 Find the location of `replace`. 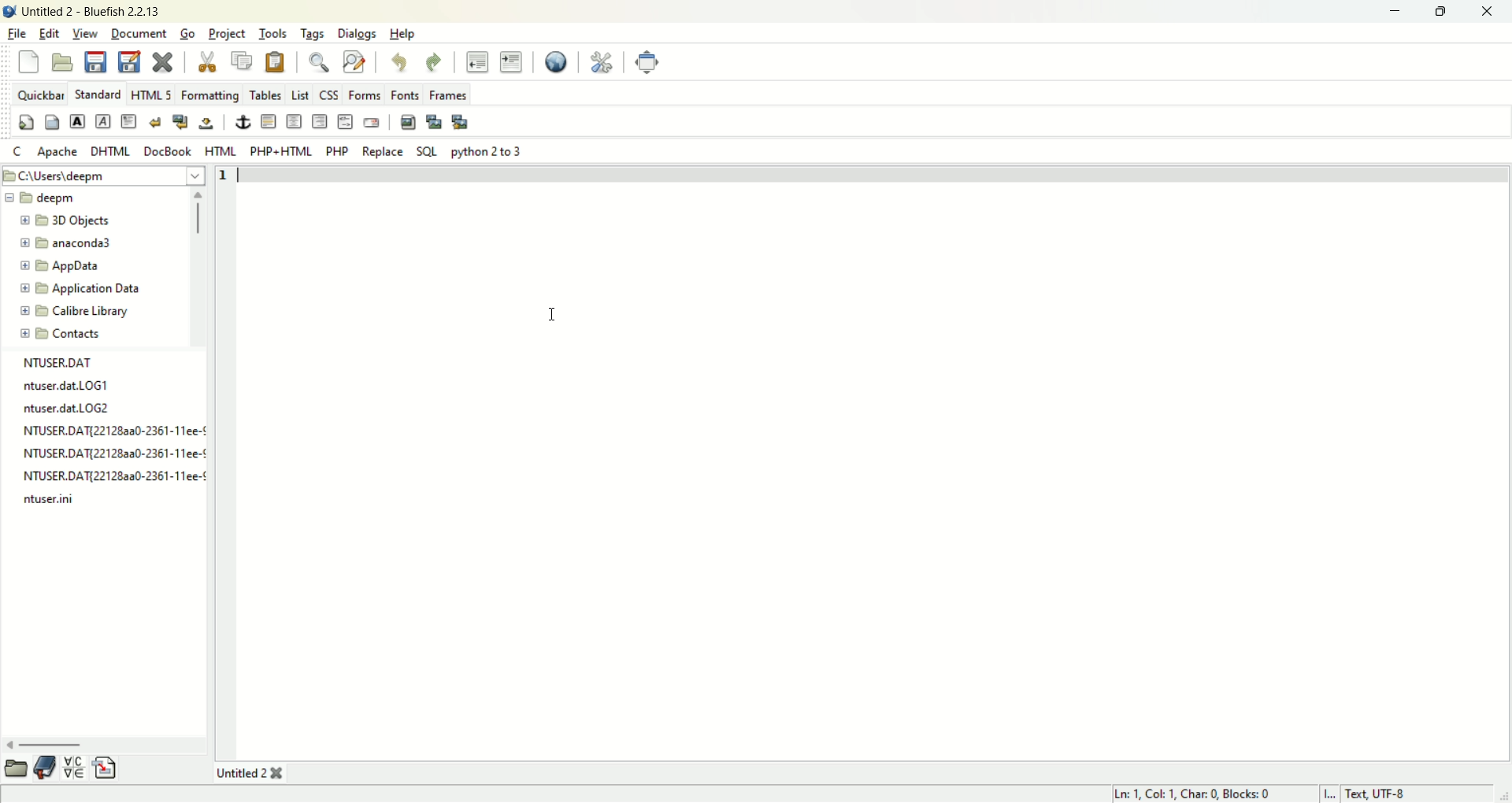

replace is located at coordinates (383, 152).